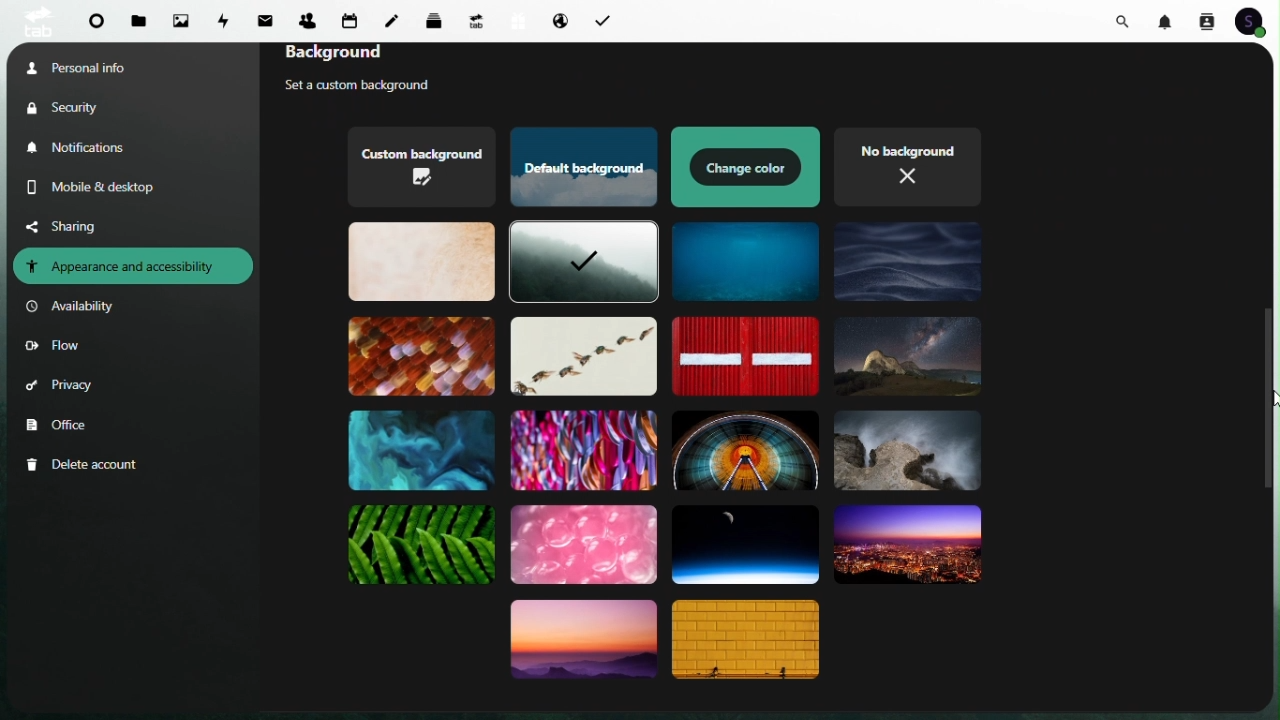 Image resolution: width=1280 pixels, height=720 pixels. I want to click on dashboard, so click(95, 23).